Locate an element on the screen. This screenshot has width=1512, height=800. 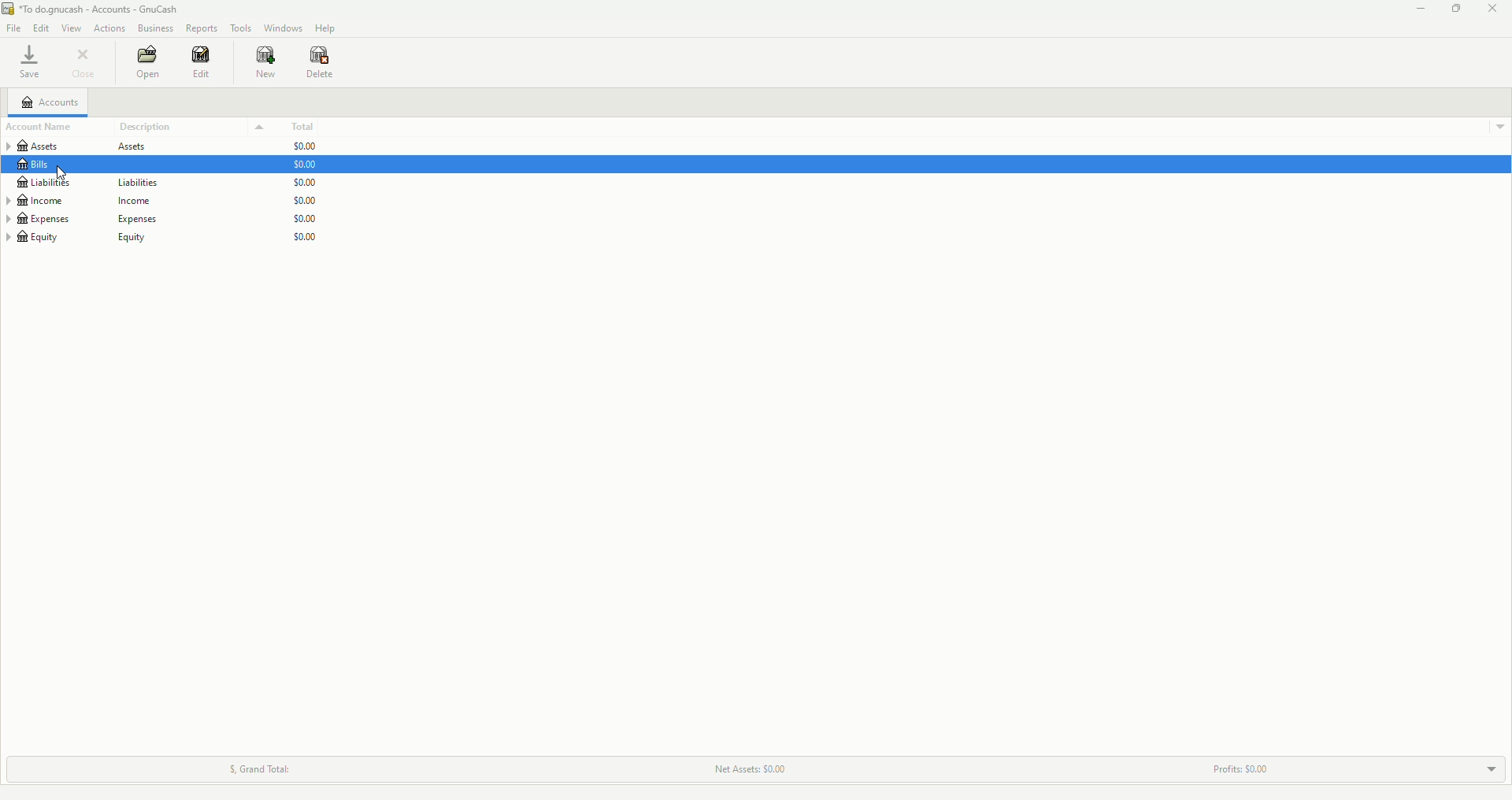
Minimize is located at coordinates (1417, 10).